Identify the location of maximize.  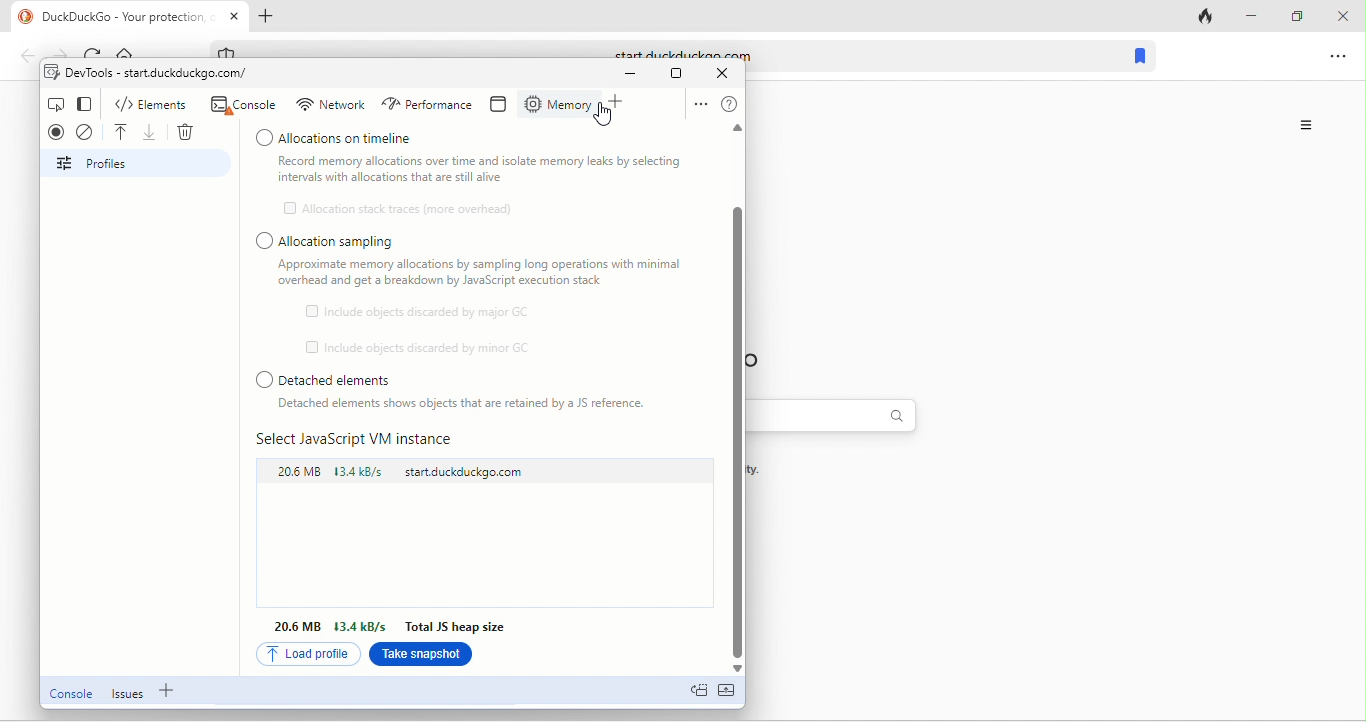
(1294, 15).